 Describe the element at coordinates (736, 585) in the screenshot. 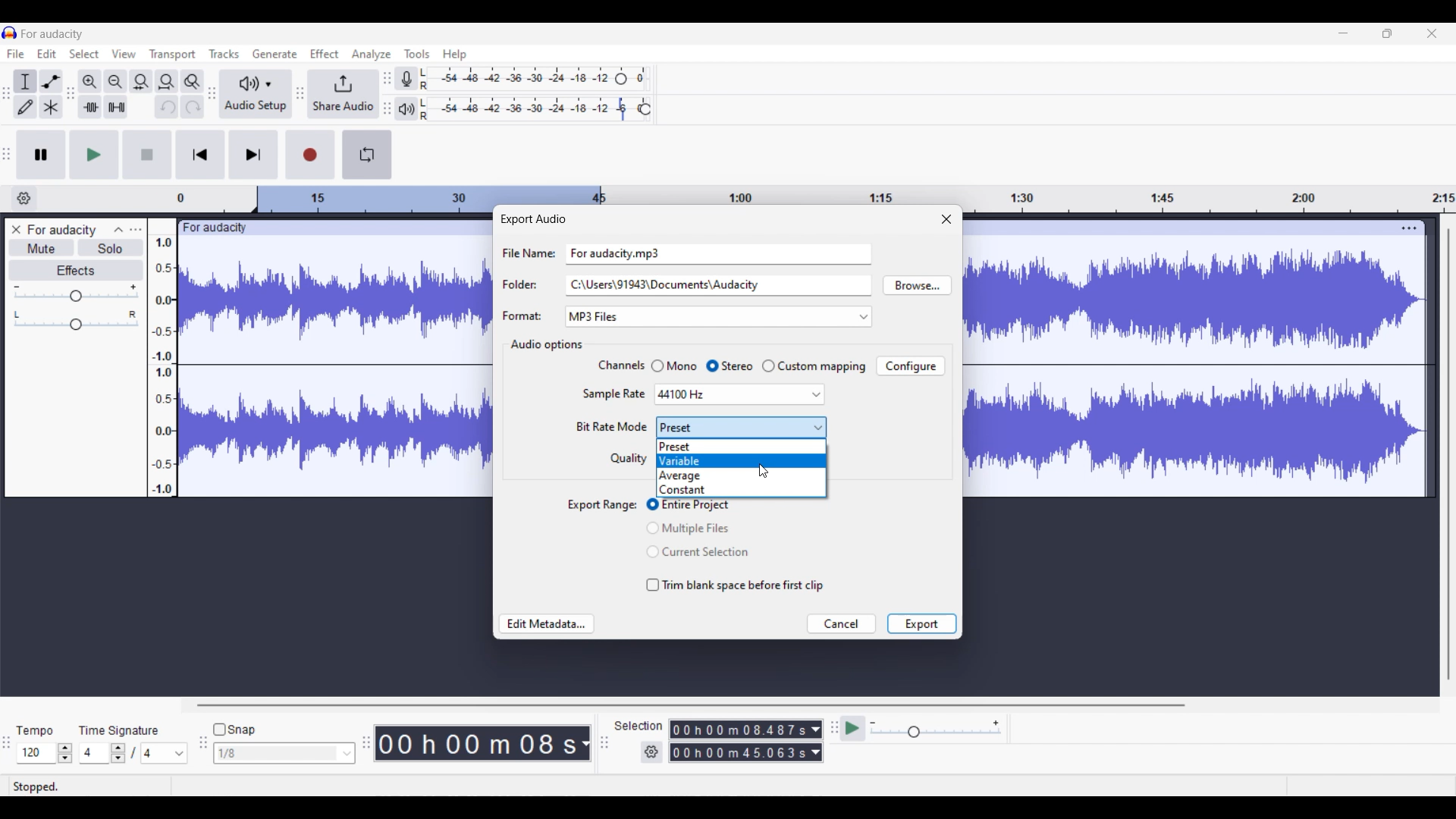

I see `Toggle for trimming blank space ` at that location.